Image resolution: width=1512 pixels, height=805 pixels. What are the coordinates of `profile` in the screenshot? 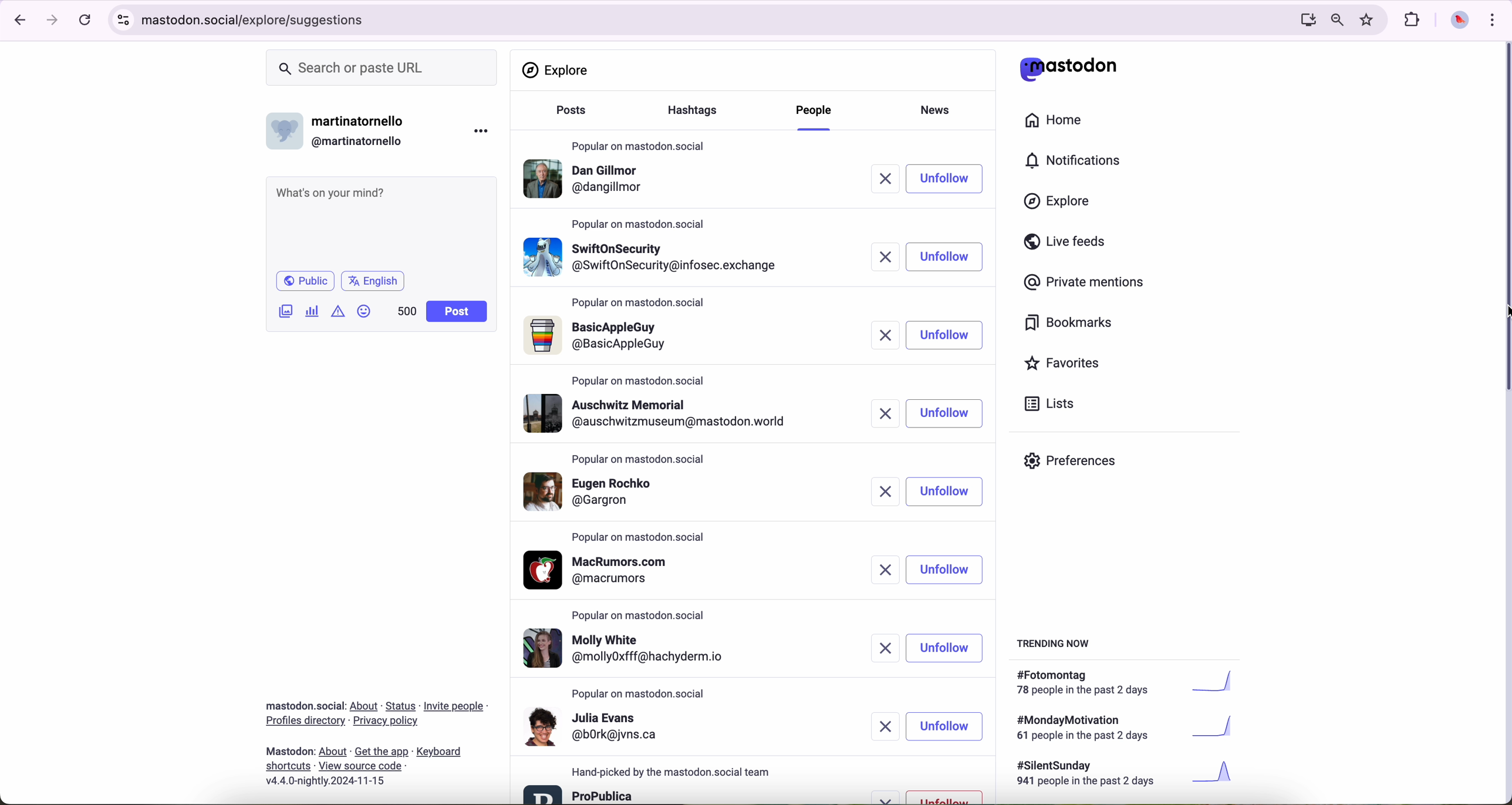 It's located at (580, 793).